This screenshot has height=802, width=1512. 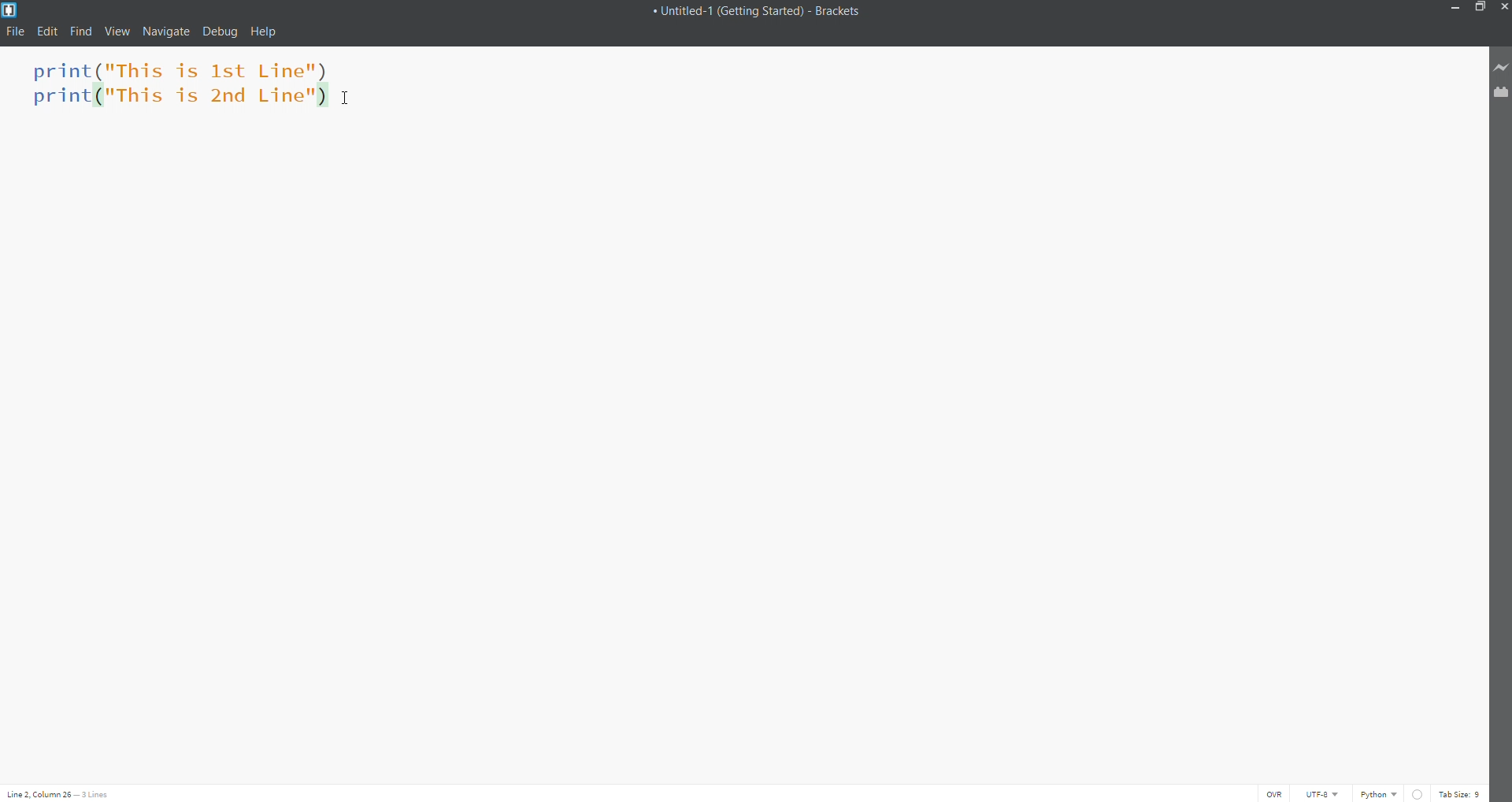 I want to click on « Untitled-1 (Getting Started) - Brackets, so click(x=765, y=11).